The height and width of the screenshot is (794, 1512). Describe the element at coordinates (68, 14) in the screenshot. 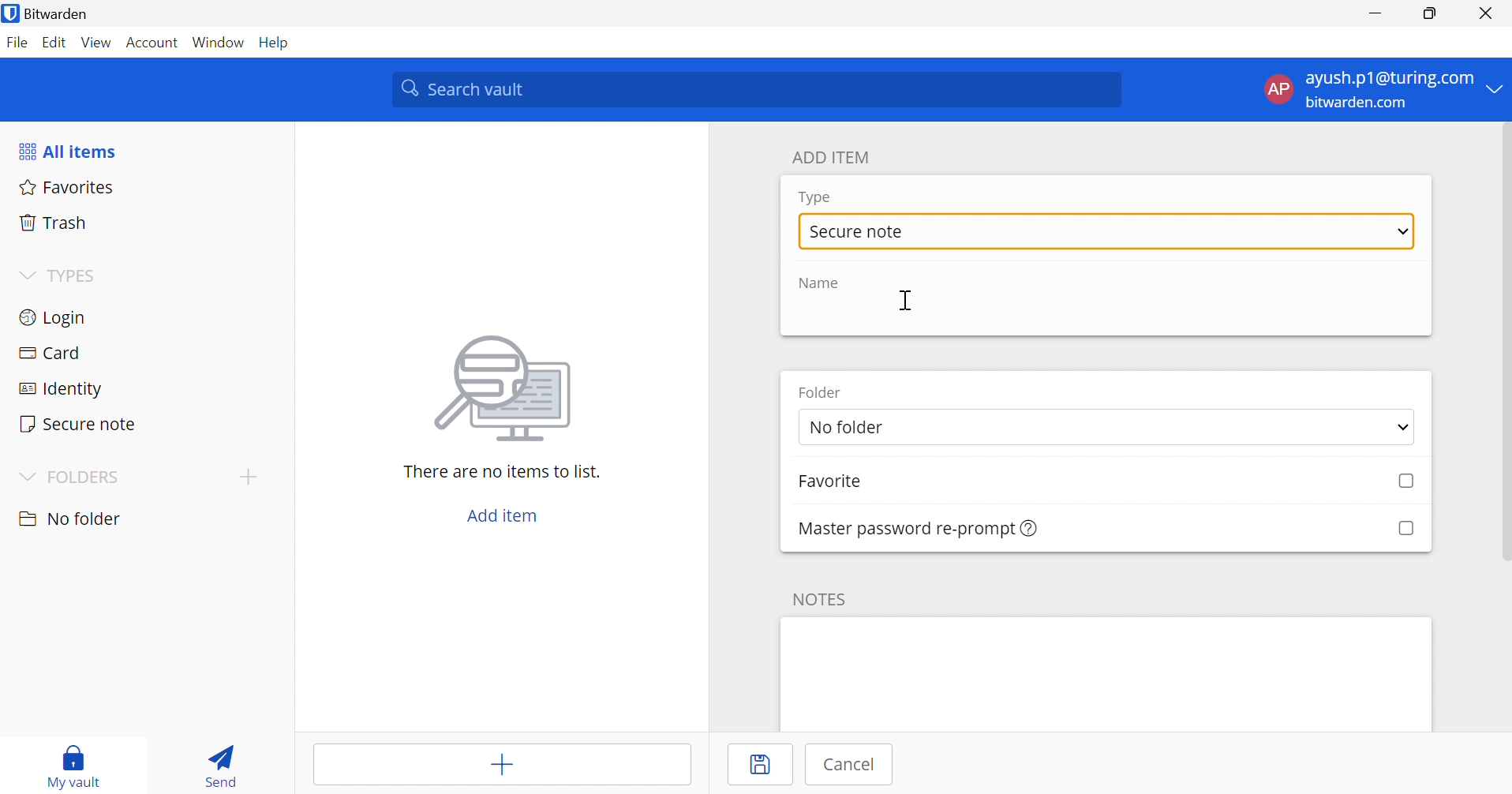

I see `Bitwarden` at that location.